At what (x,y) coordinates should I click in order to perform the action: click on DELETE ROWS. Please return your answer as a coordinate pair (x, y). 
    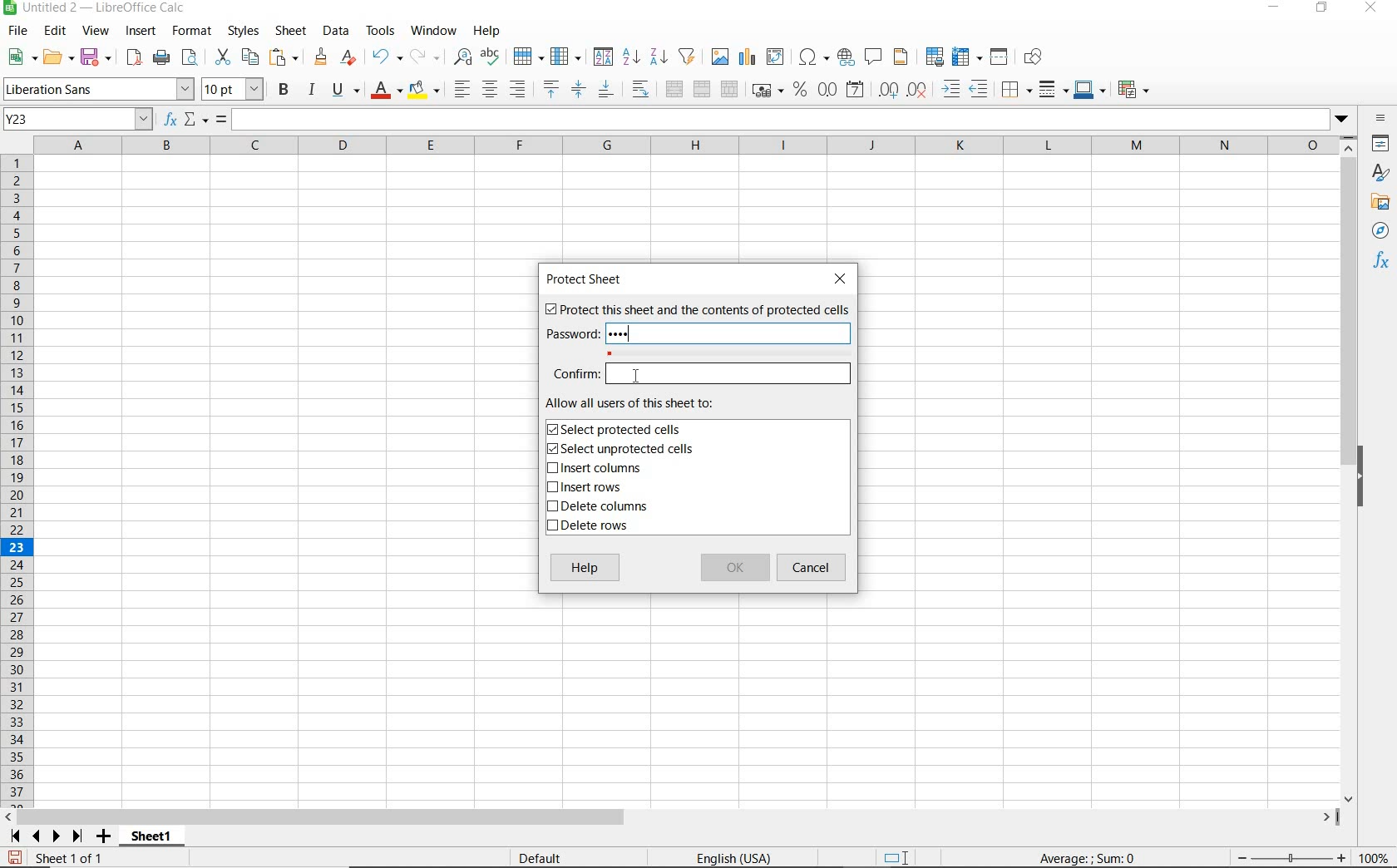
    Looking at the image, I should click on (590, 528).